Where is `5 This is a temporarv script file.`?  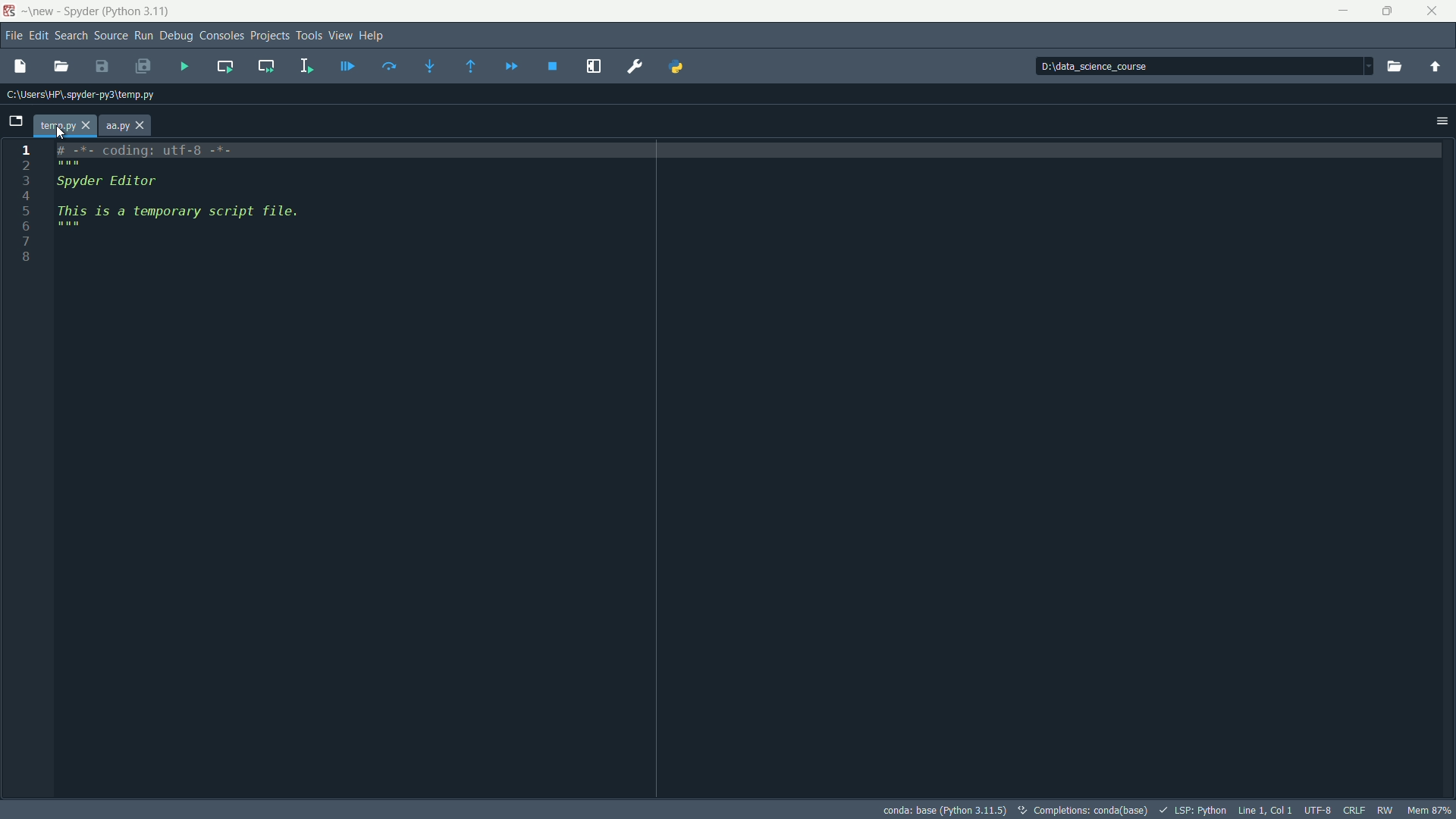 5 This is a temporarv script file. is located at coordinates (179, 211).